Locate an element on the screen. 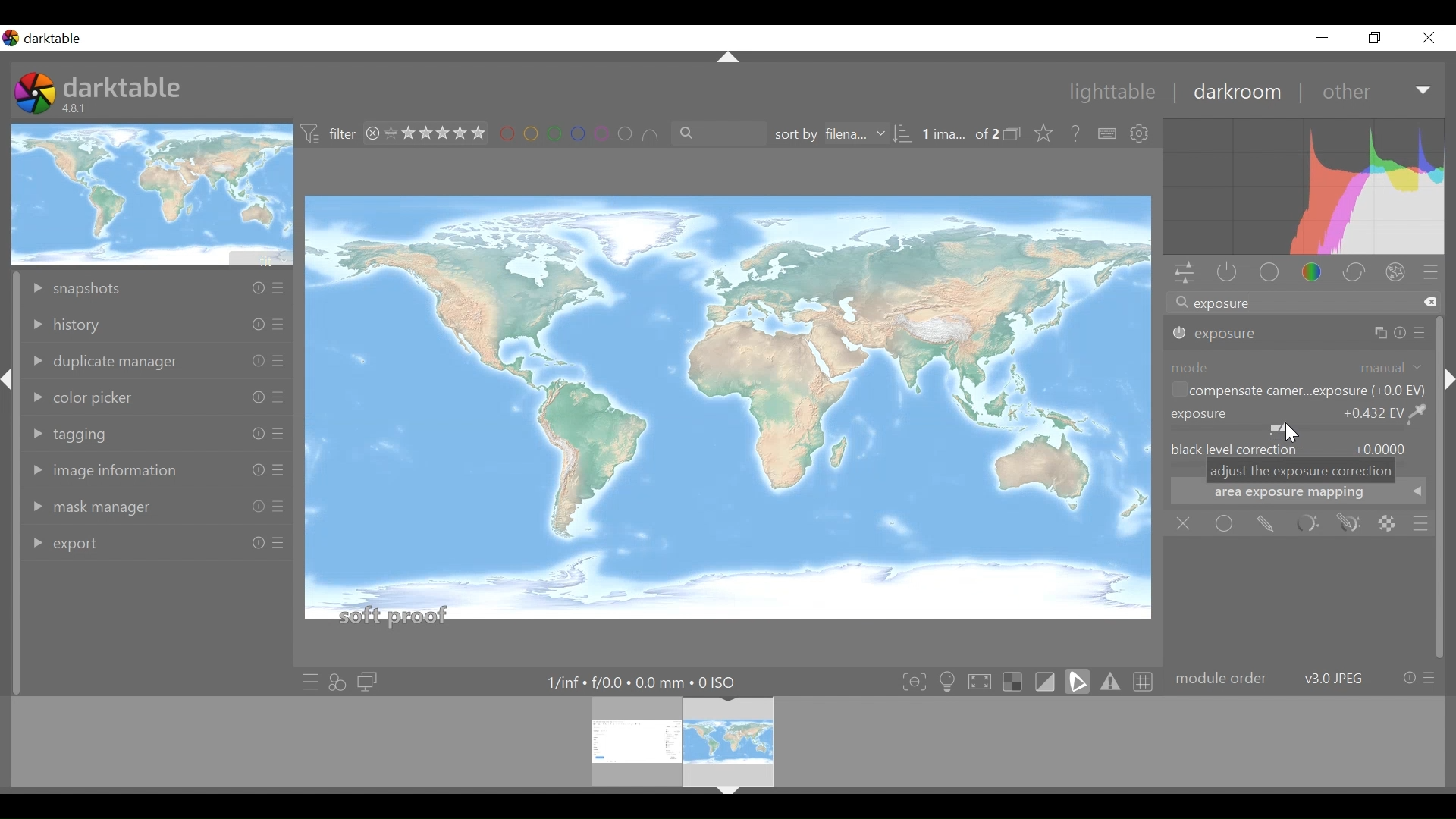 The height and width of the screenshot is (819, 1456). minimize is located at coordinates (1322, 37).